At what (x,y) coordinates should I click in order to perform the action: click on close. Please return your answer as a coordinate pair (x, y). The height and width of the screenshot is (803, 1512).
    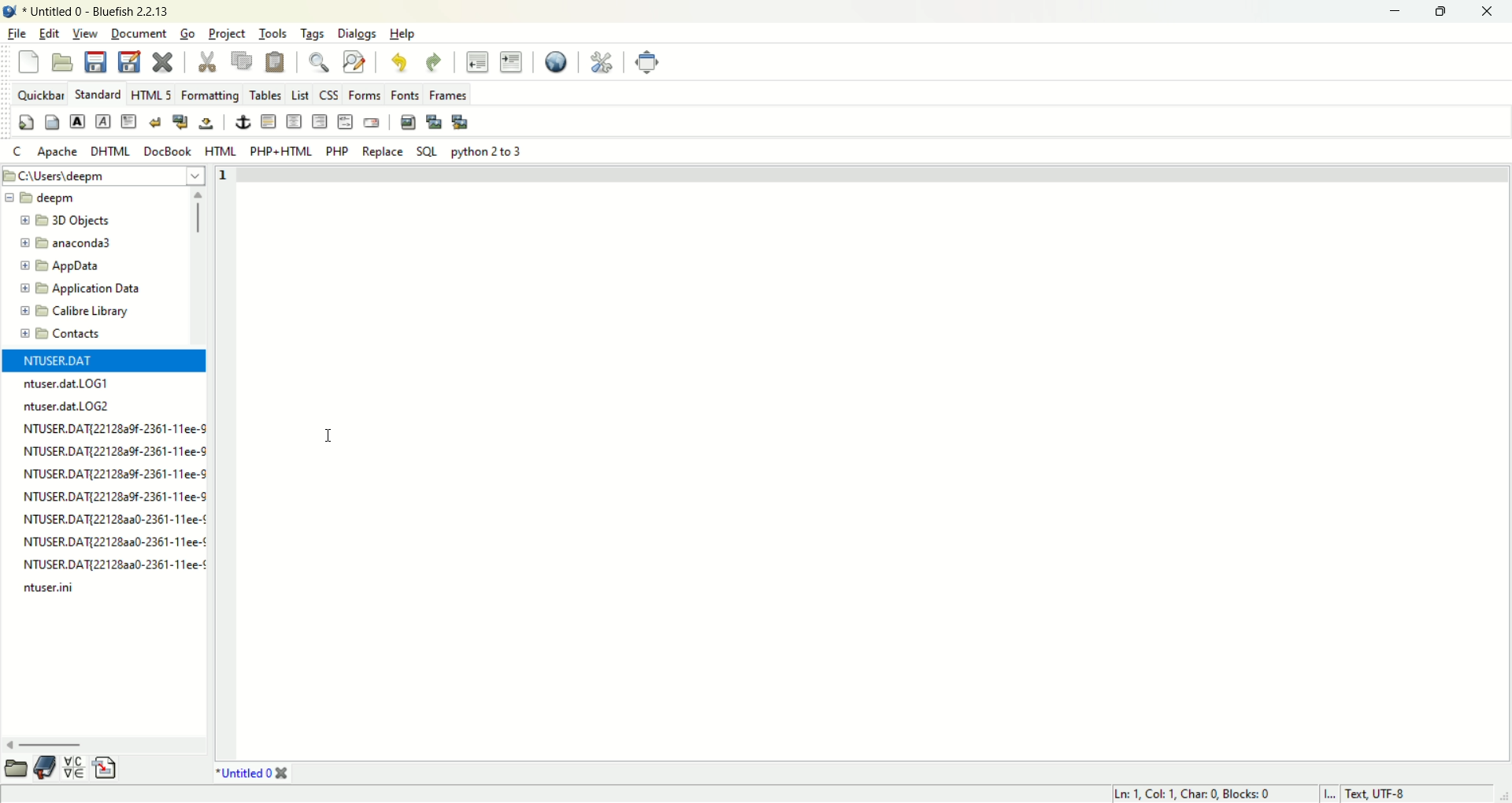
    Looking at the image, I should click on (166, 61).